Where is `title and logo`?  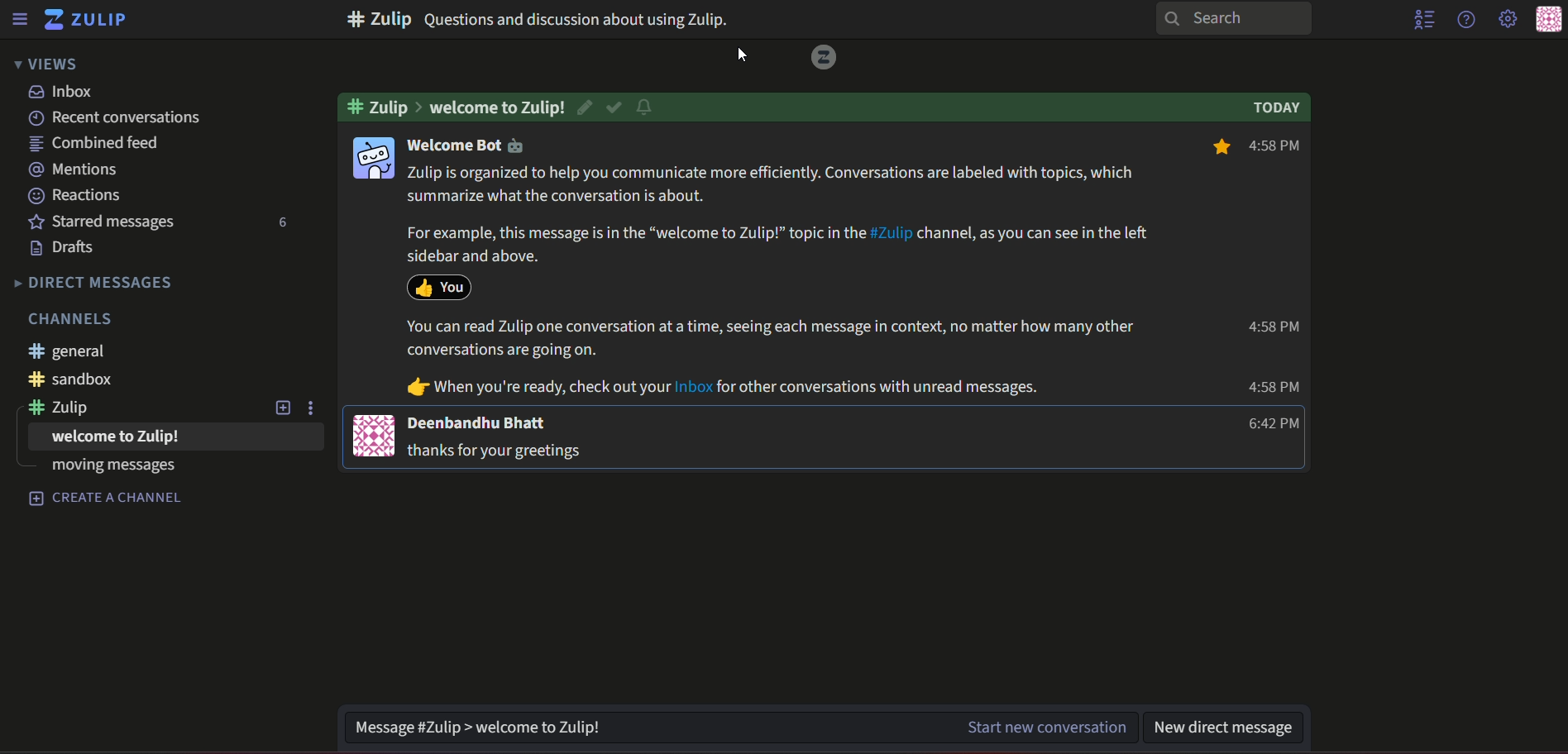 title and logo is located at coordinates (92, 19).